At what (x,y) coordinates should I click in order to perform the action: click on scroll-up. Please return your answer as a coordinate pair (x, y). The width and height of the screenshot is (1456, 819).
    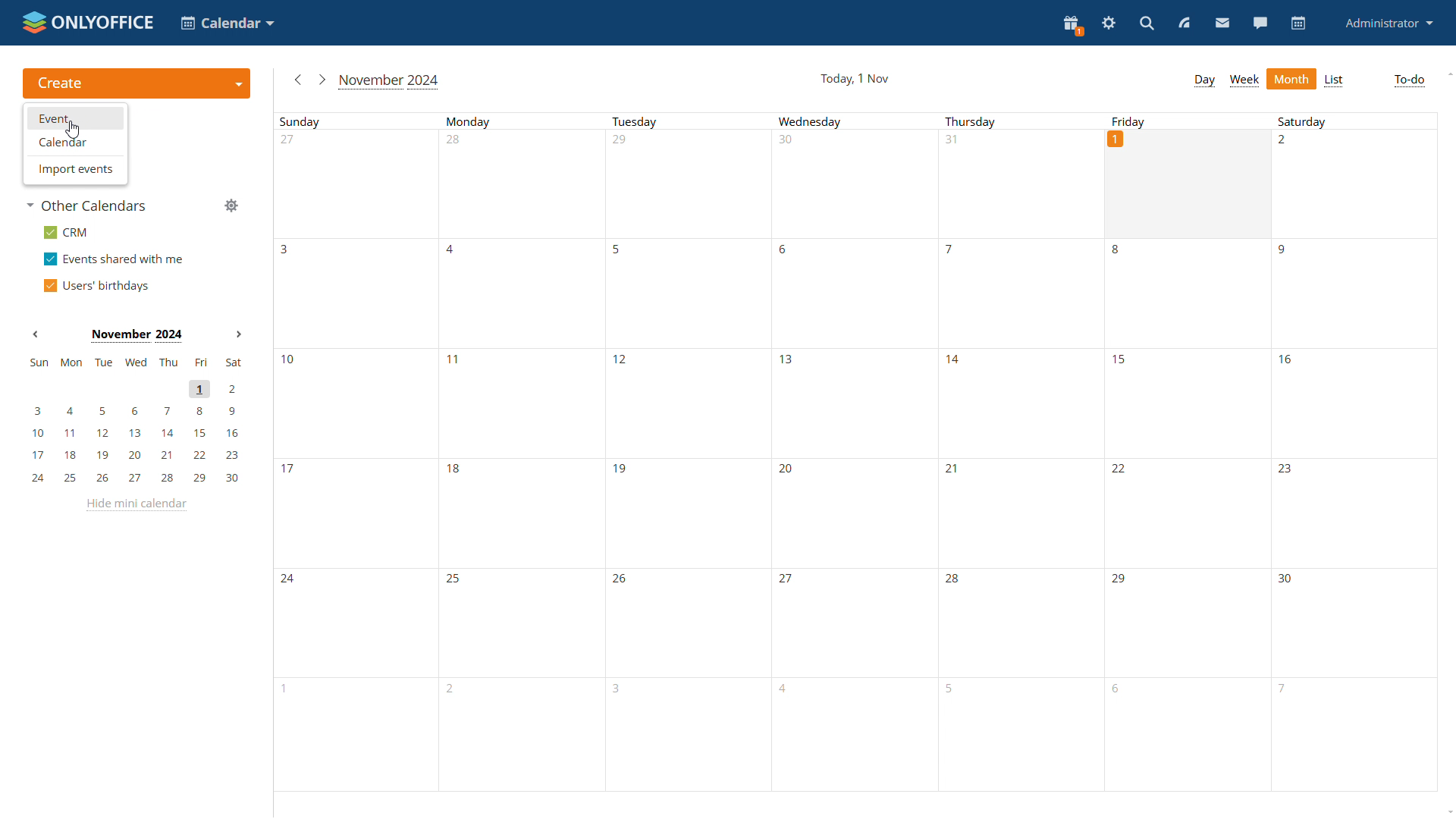
    Looking at the image, I should click on (1447, 72).